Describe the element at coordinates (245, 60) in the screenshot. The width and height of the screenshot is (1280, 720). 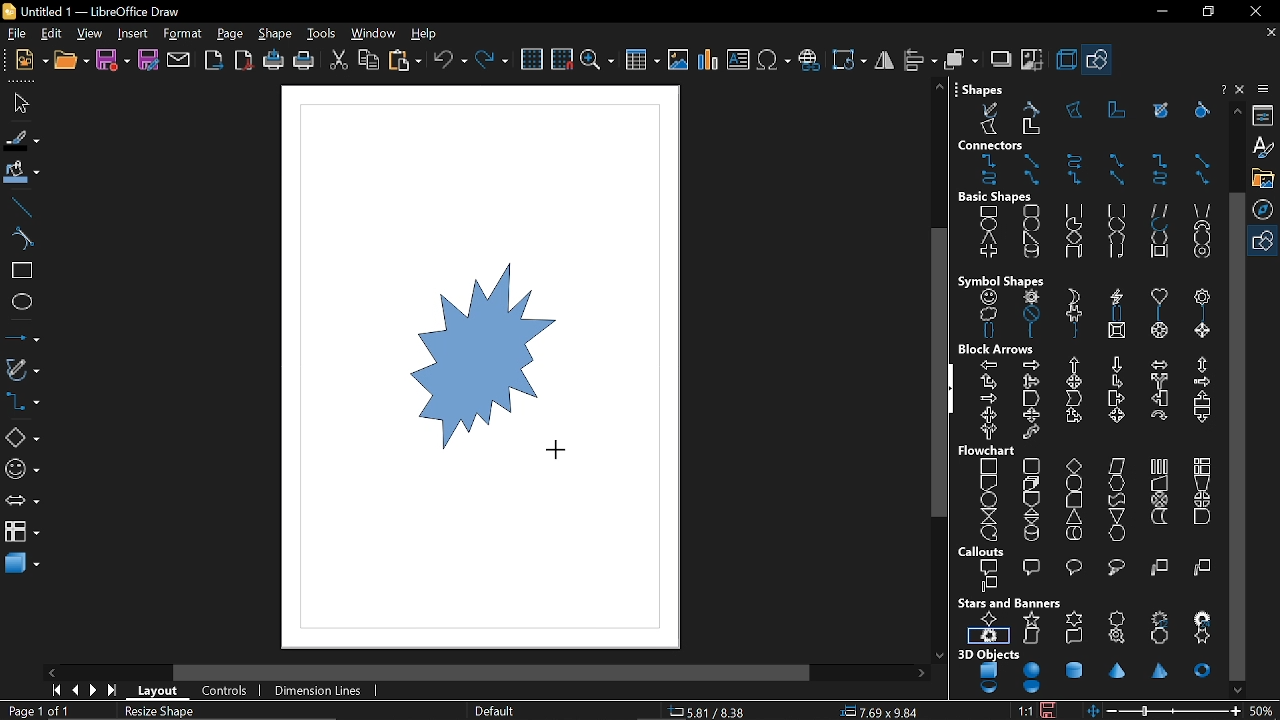
I see `export as pdf` at that location.